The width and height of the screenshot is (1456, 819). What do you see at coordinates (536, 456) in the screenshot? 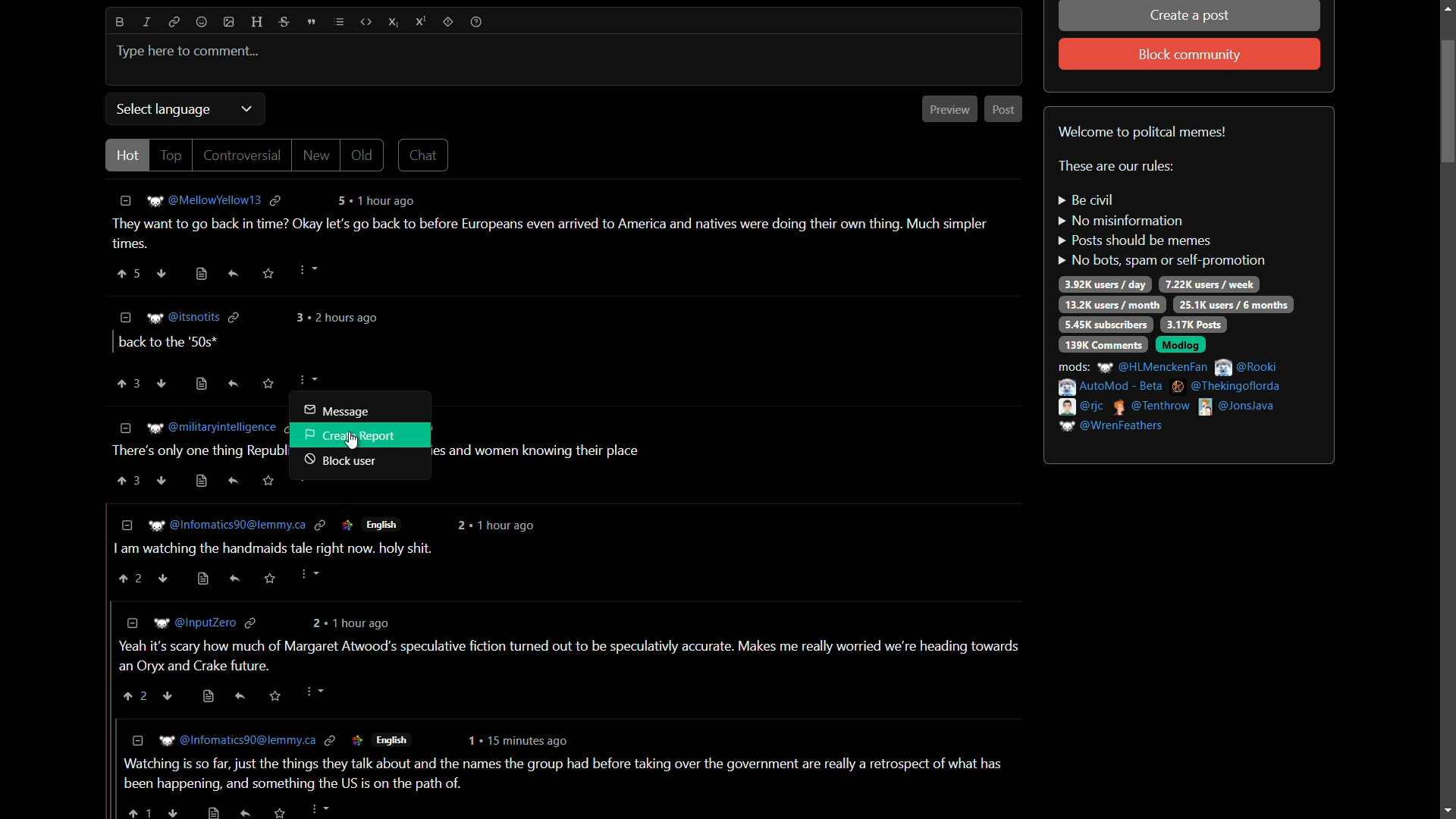
I see `comment-3` at bounding box center [536, 456].